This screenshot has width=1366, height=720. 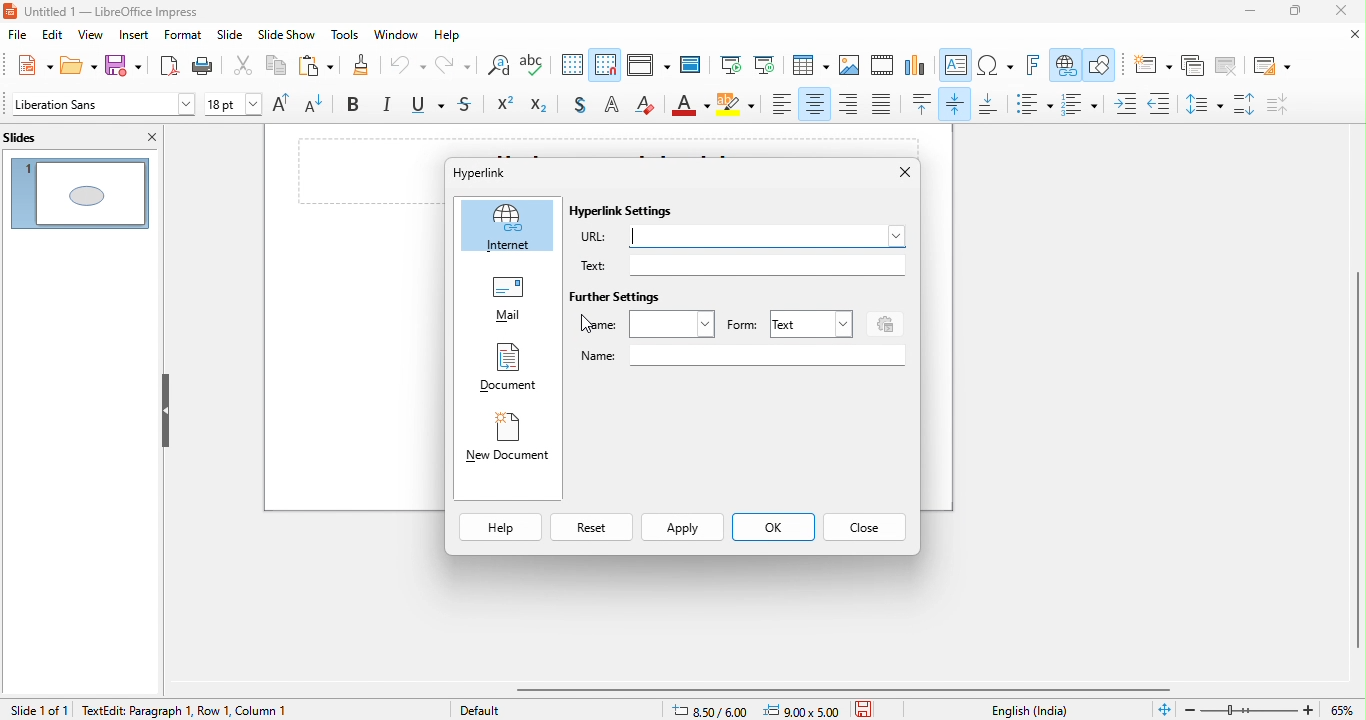 I want to click on apply, so click(x=683, y=529).